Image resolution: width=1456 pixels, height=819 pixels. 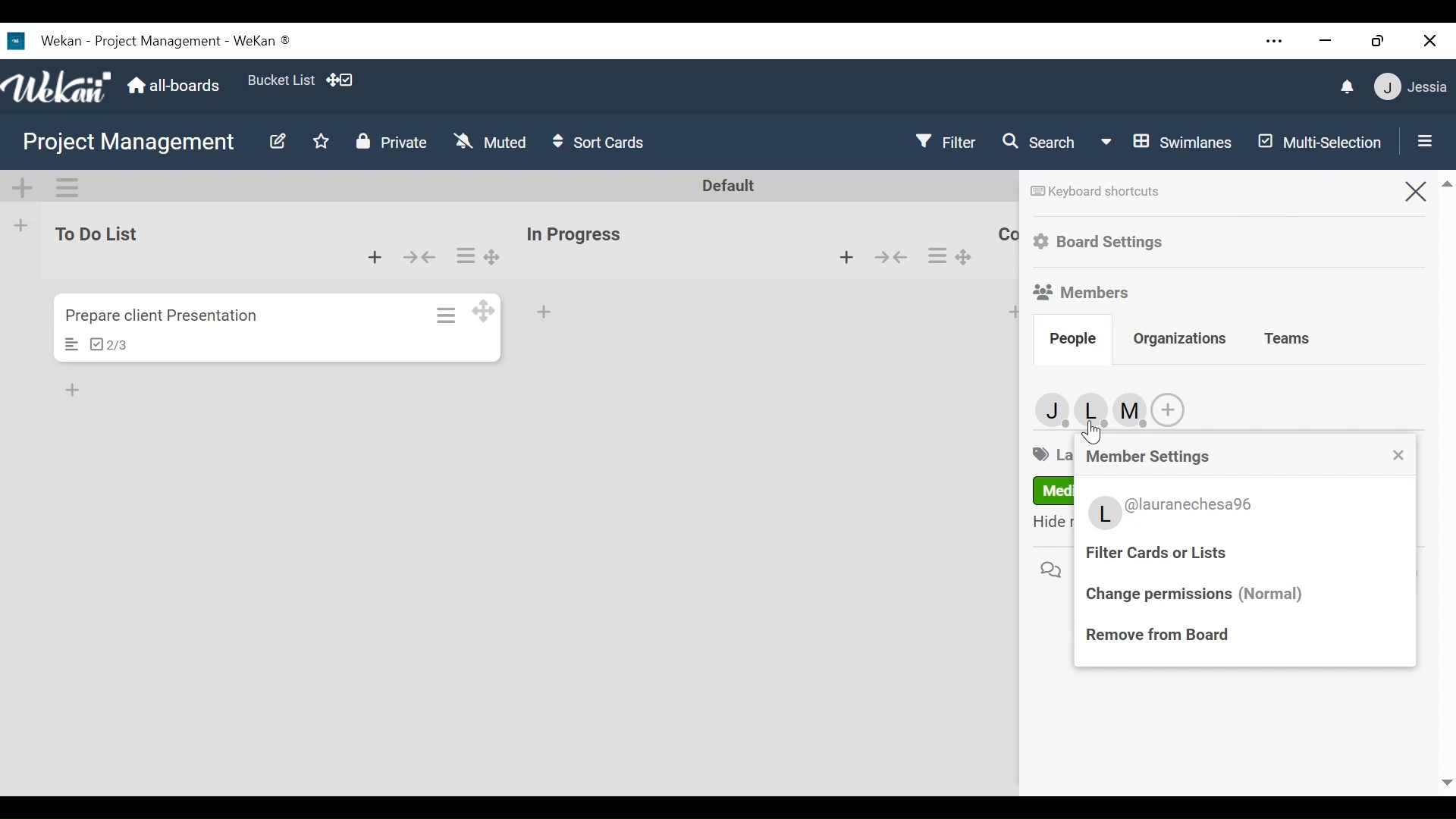 What do you see at coordinates (1104, 513) in the screenshot?
I see `Profile photo` at bounding box center [1104, 513].